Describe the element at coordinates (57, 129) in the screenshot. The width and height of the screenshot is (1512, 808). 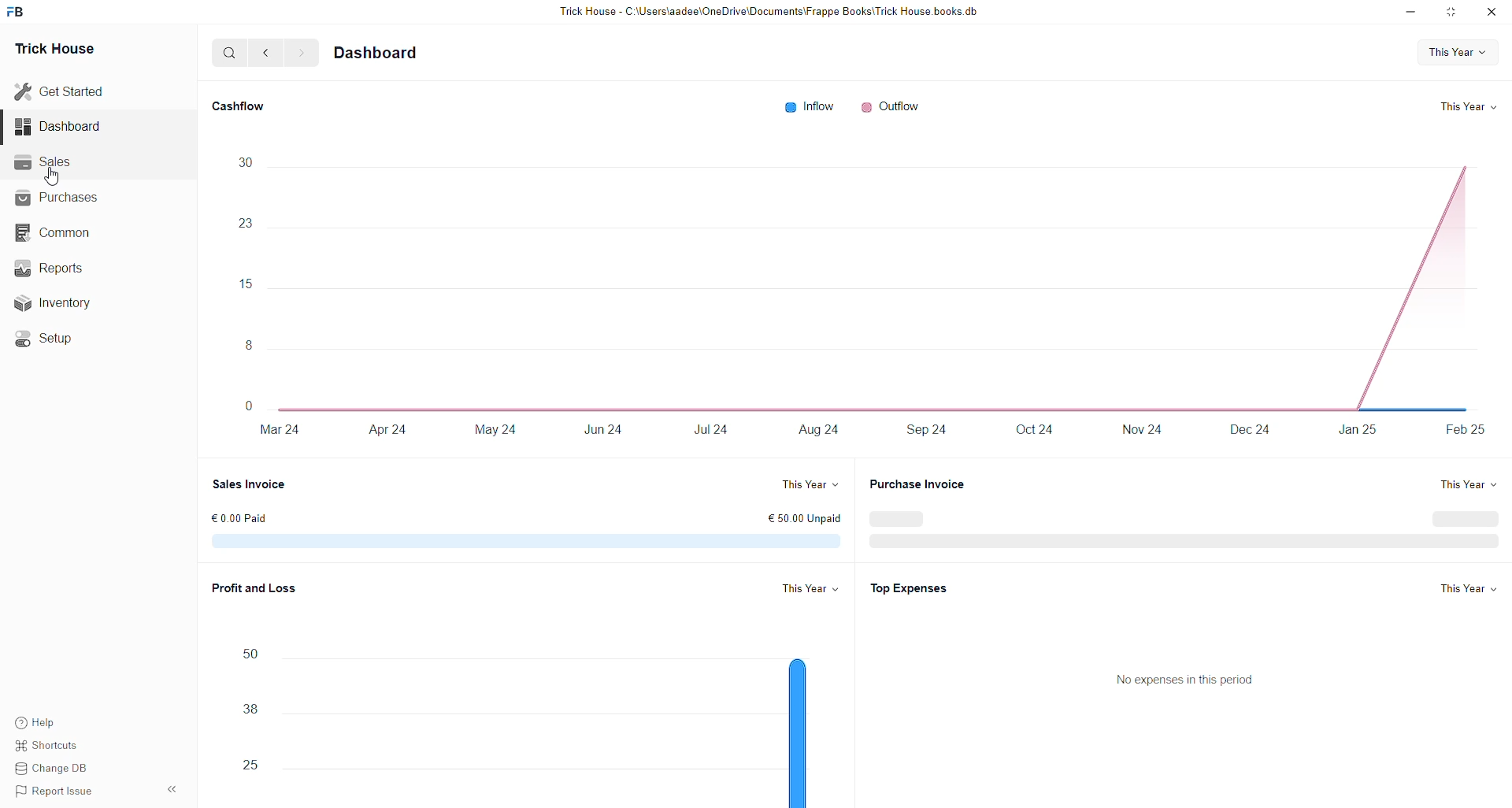
I see `Dashboard` at that location.